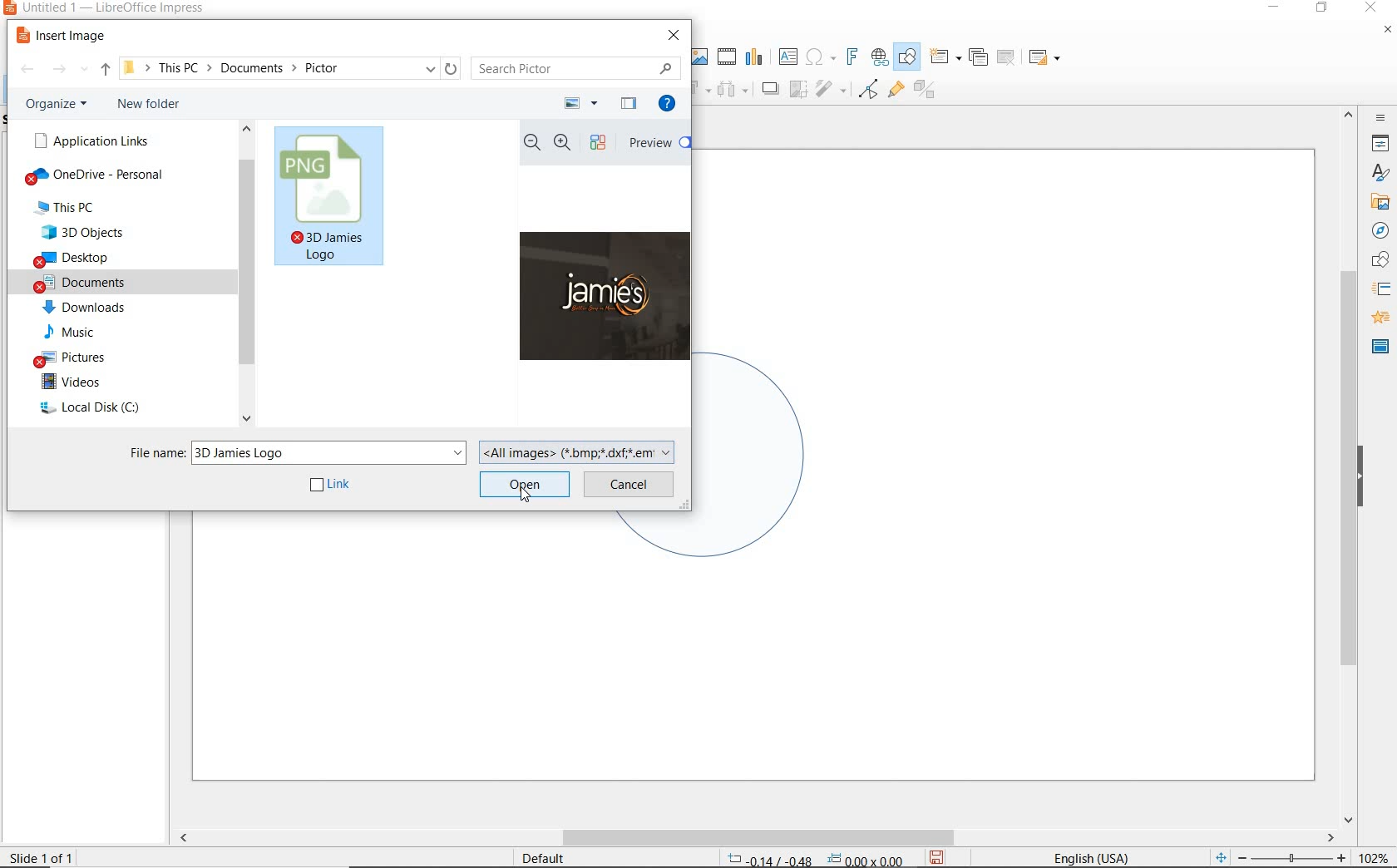 The height and width of the screenshot is (868, 1397). I want to click on properties, so click(1379, 143).